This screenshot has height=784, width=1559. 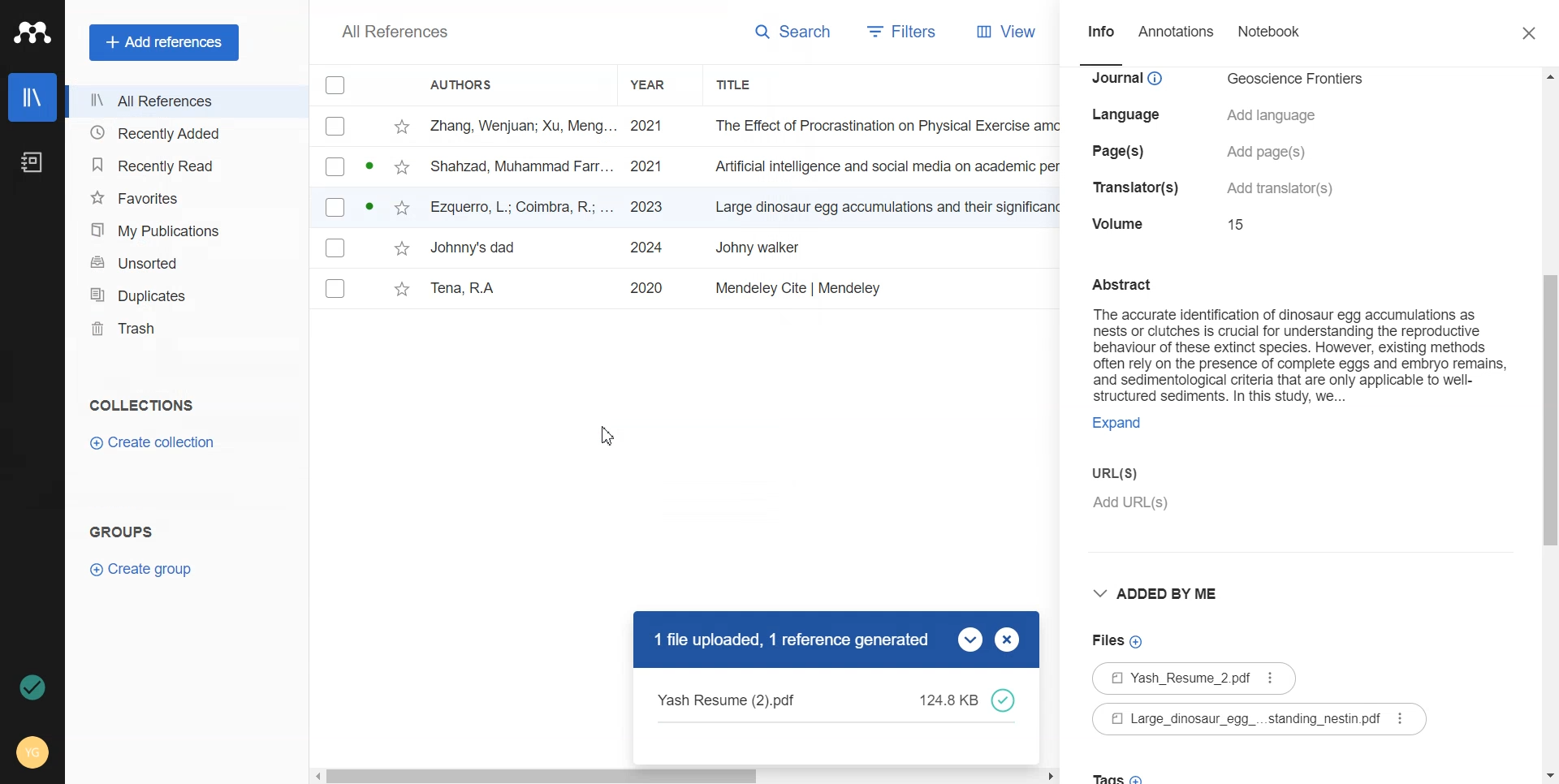 What do you see at coordinates (185, 101) in the screenshot?
I see `All References` at bounding box center [185, 101].